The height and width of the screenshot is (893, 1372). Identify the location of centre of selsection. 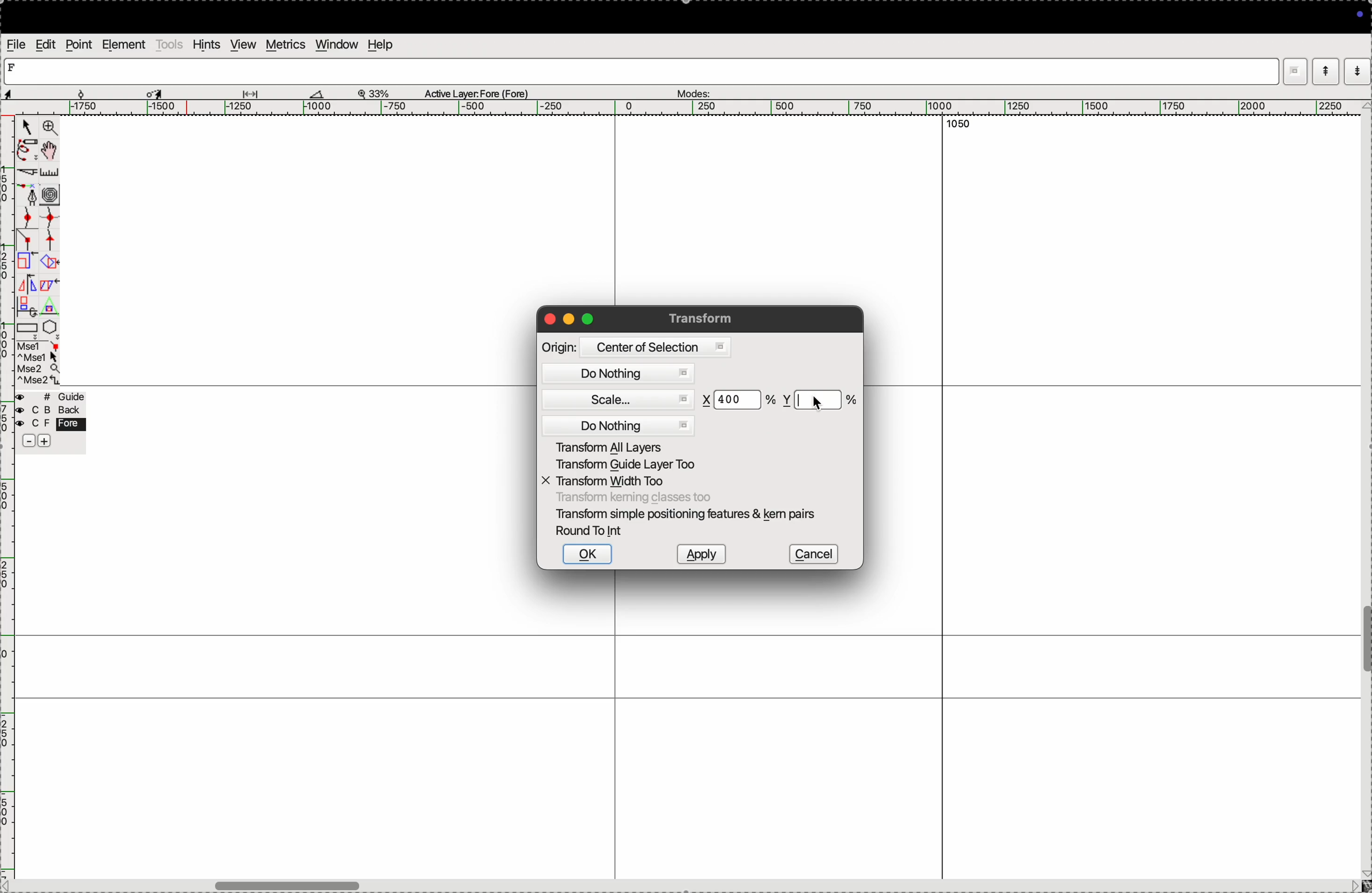
(654, 347).